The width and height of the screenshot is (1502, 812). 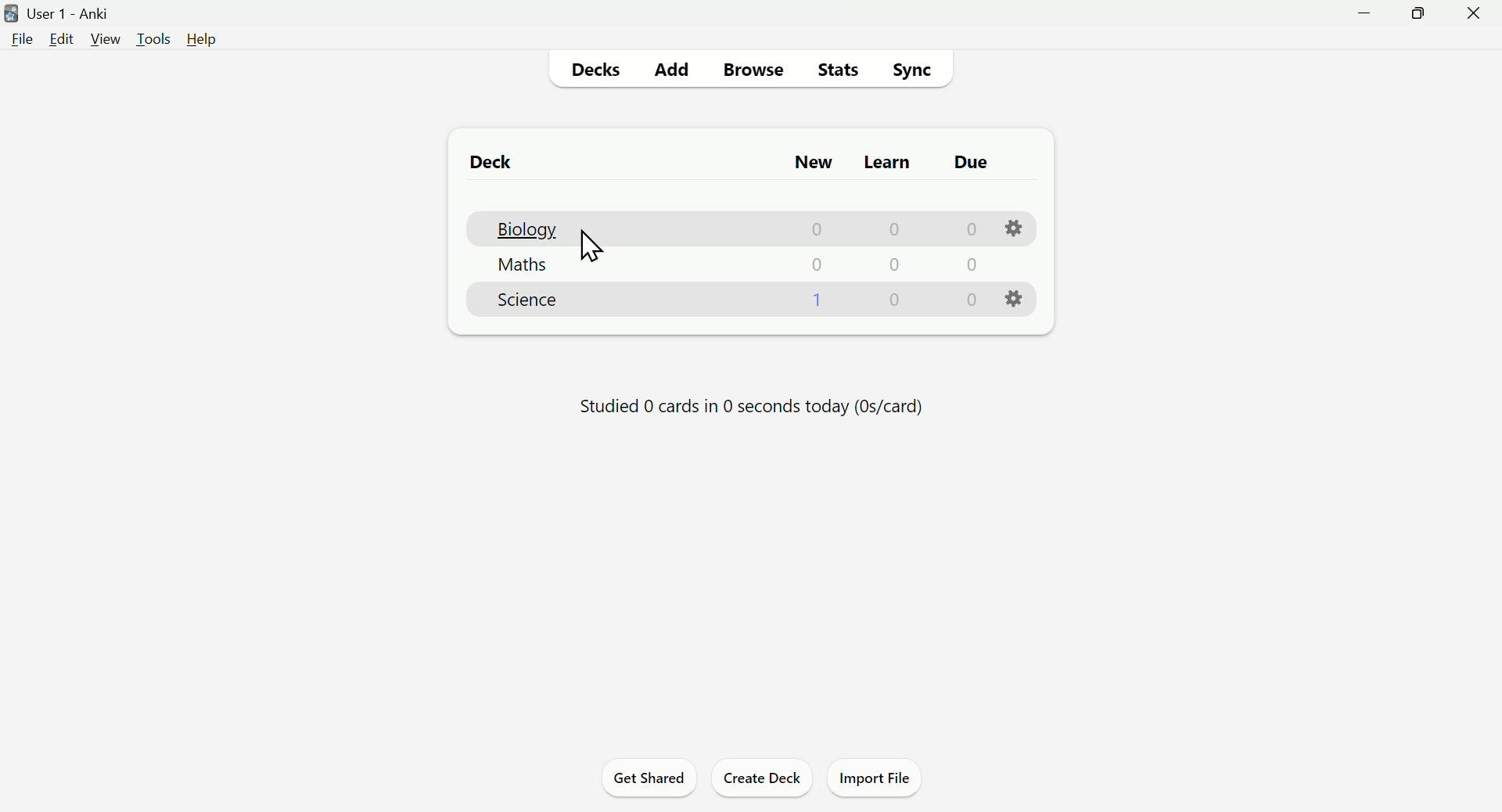 I want to click on Create Deck, so click(x=761, y=781).